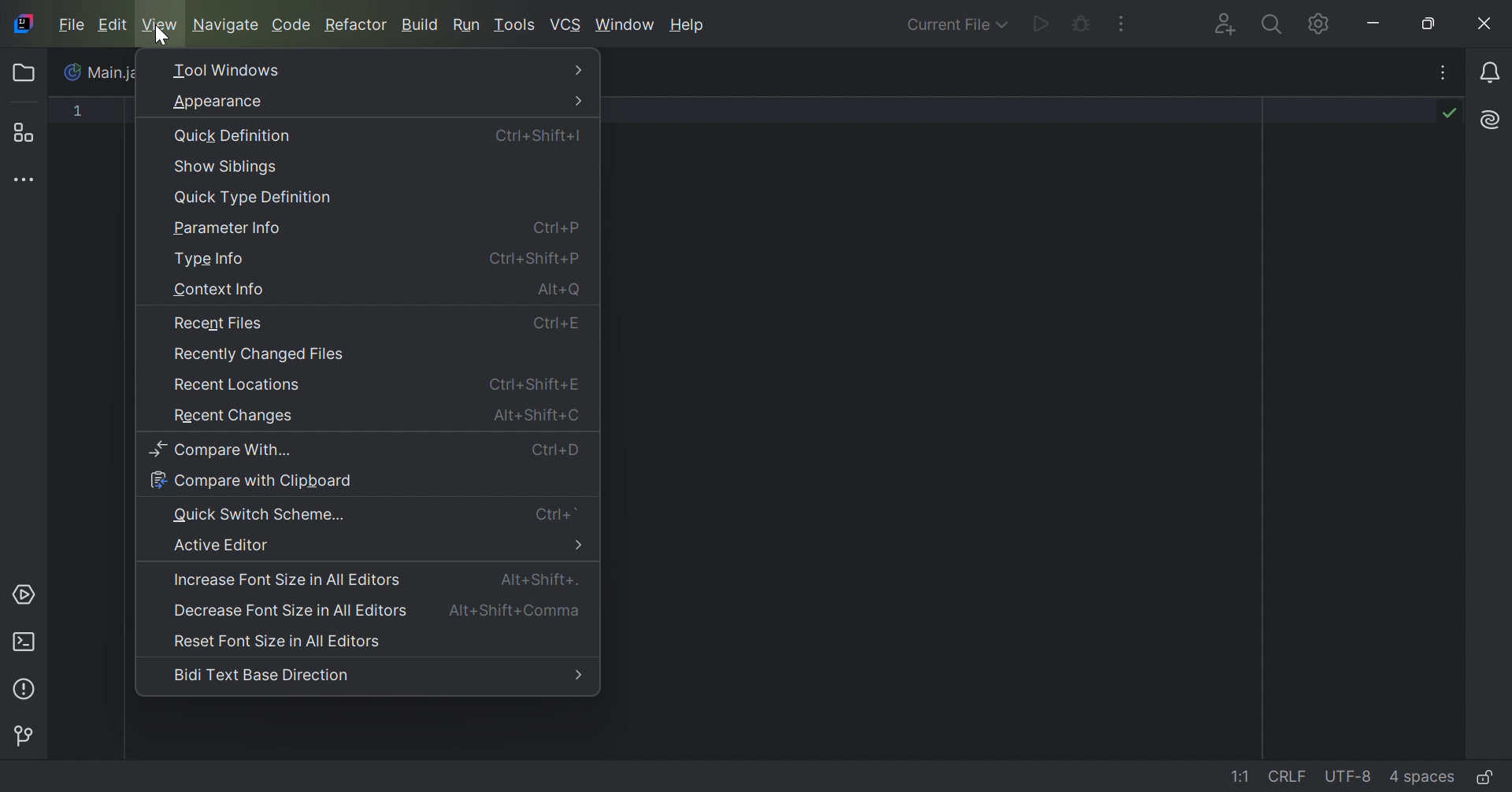  I want to click on Icon, so click(74, 72).